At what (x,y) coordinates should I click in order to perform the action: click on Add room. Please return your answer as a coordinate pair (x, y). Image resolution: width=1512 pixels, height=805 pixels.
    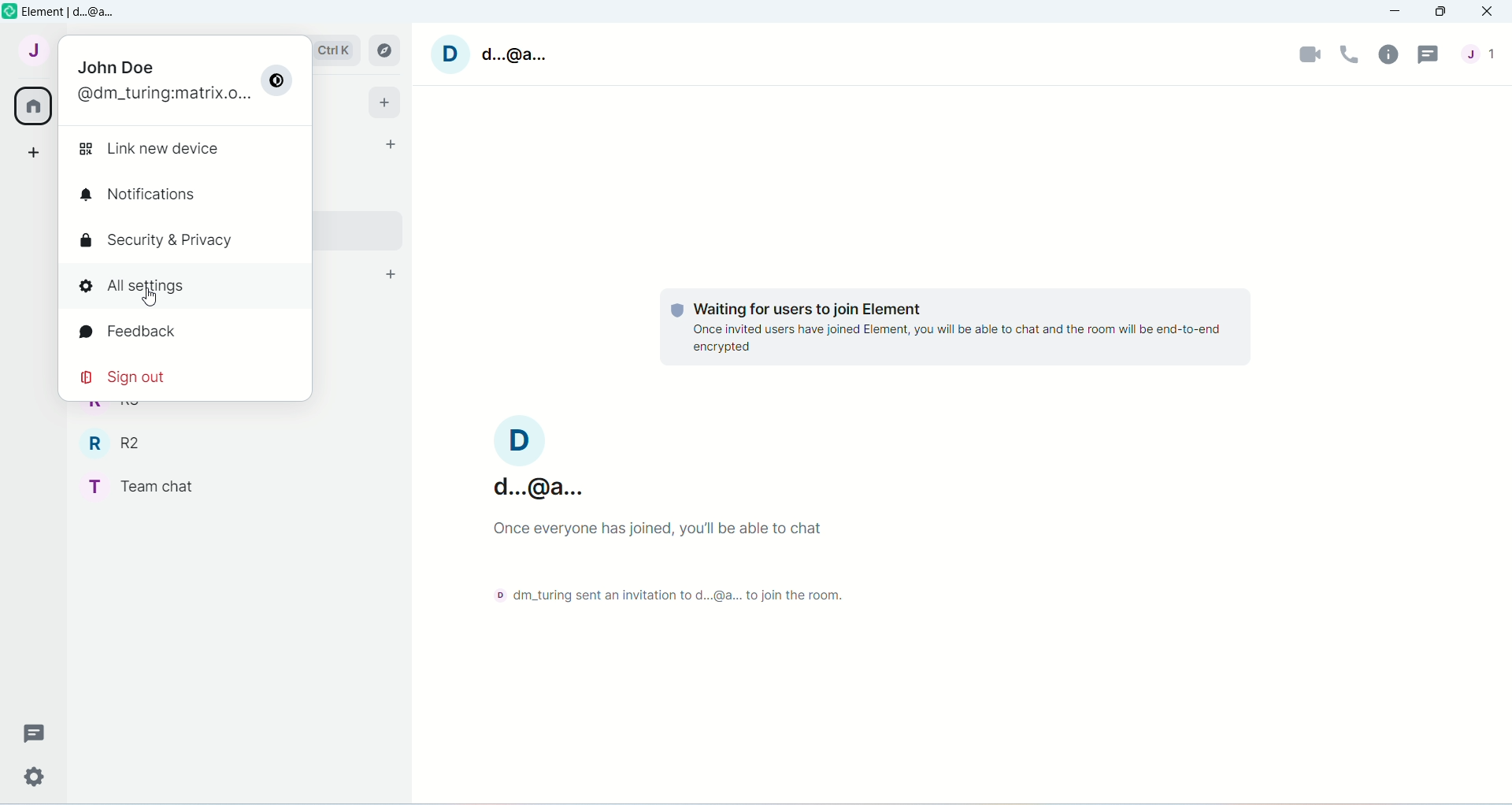
    Looking at the image, I should click on (390, 274).